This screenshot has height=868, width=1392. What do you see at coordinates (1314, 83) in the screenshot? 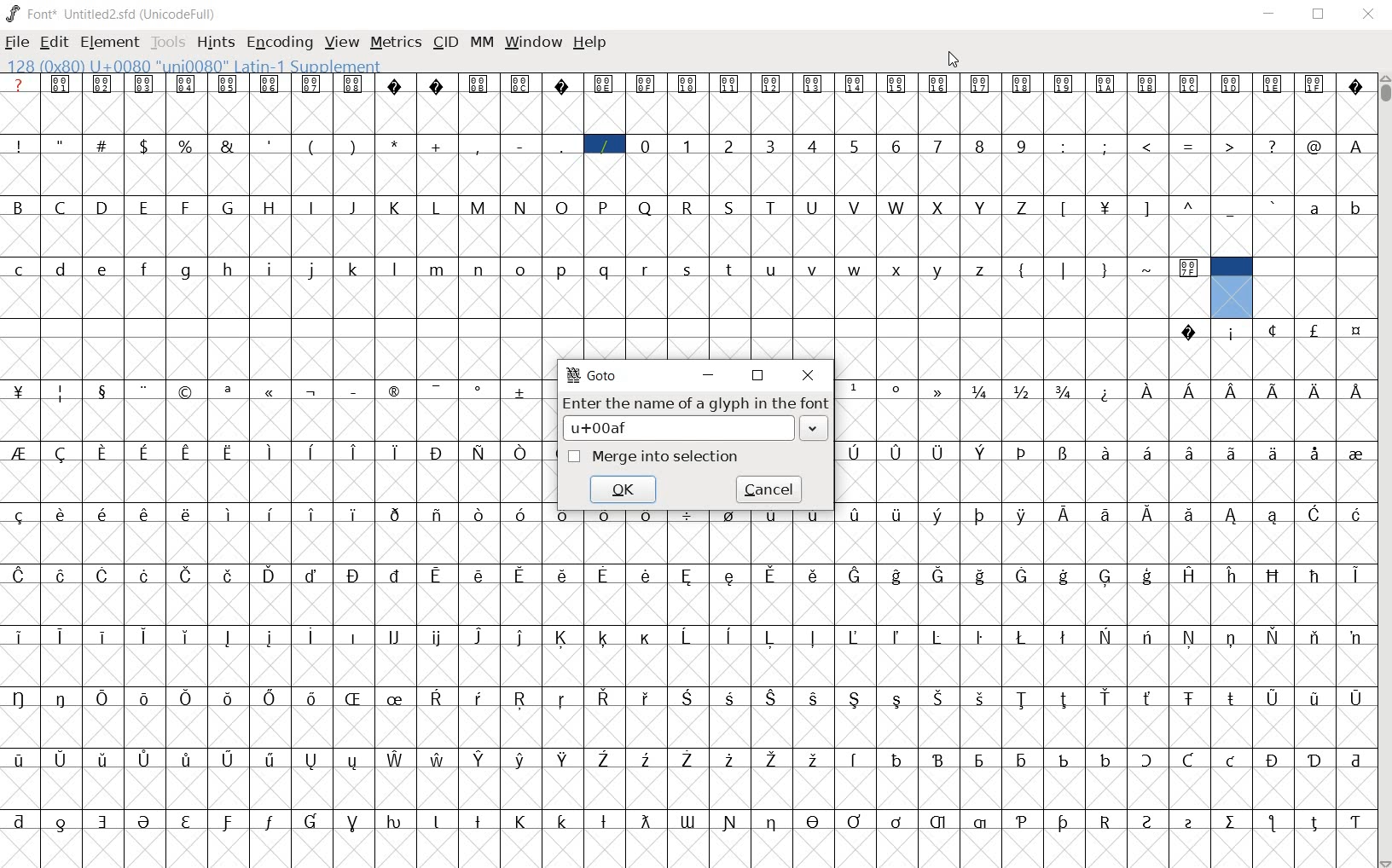
I see `Symbol` at bounding box center [1314, 83].